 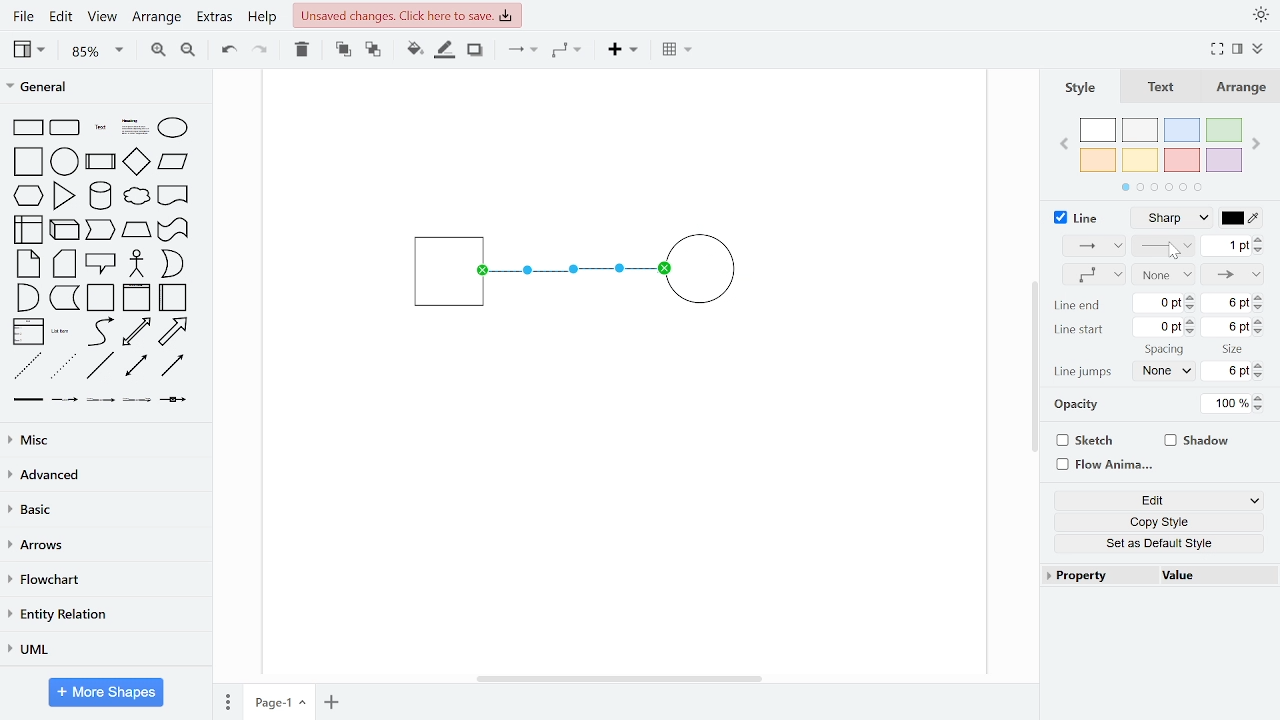 What do you see at coordinates (32, 197) in the screenshot?
I see `hexagon` at bounding box center [32, 197].